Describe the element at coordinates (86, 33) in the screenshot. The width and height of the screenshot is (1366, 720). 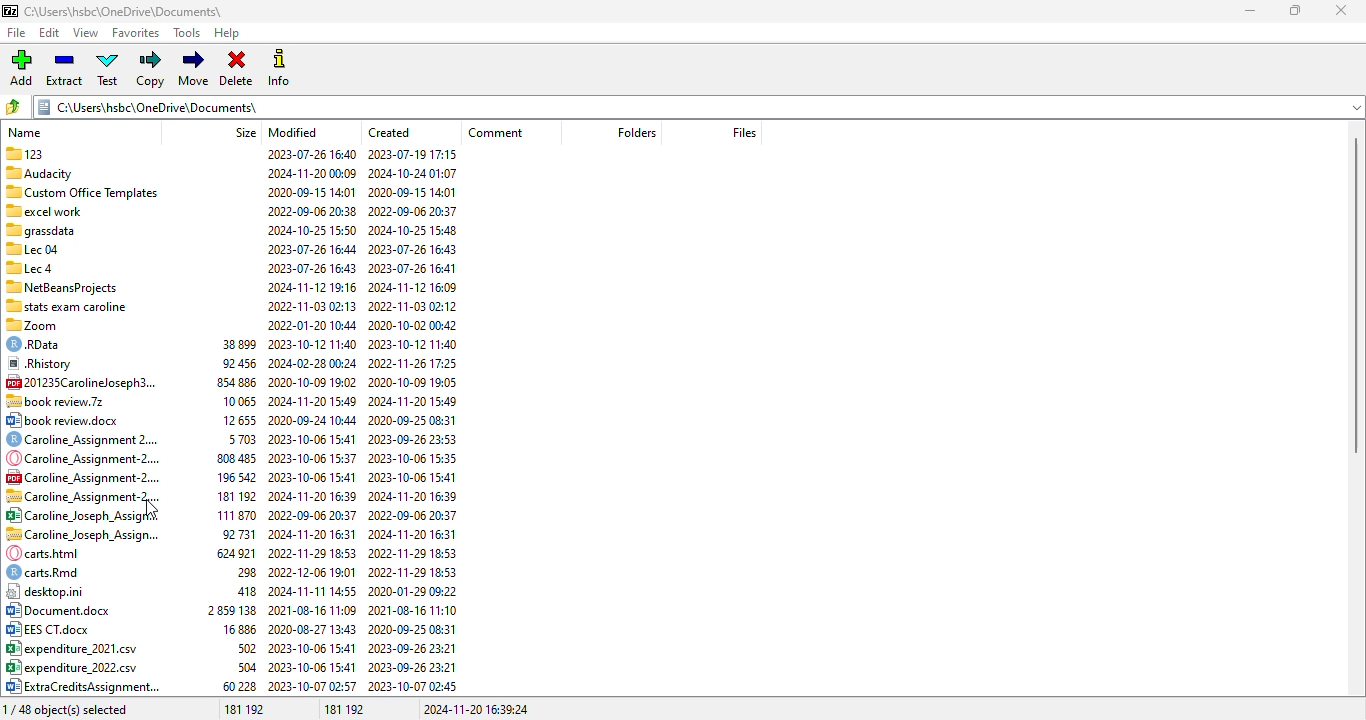
I see `view` at that location.